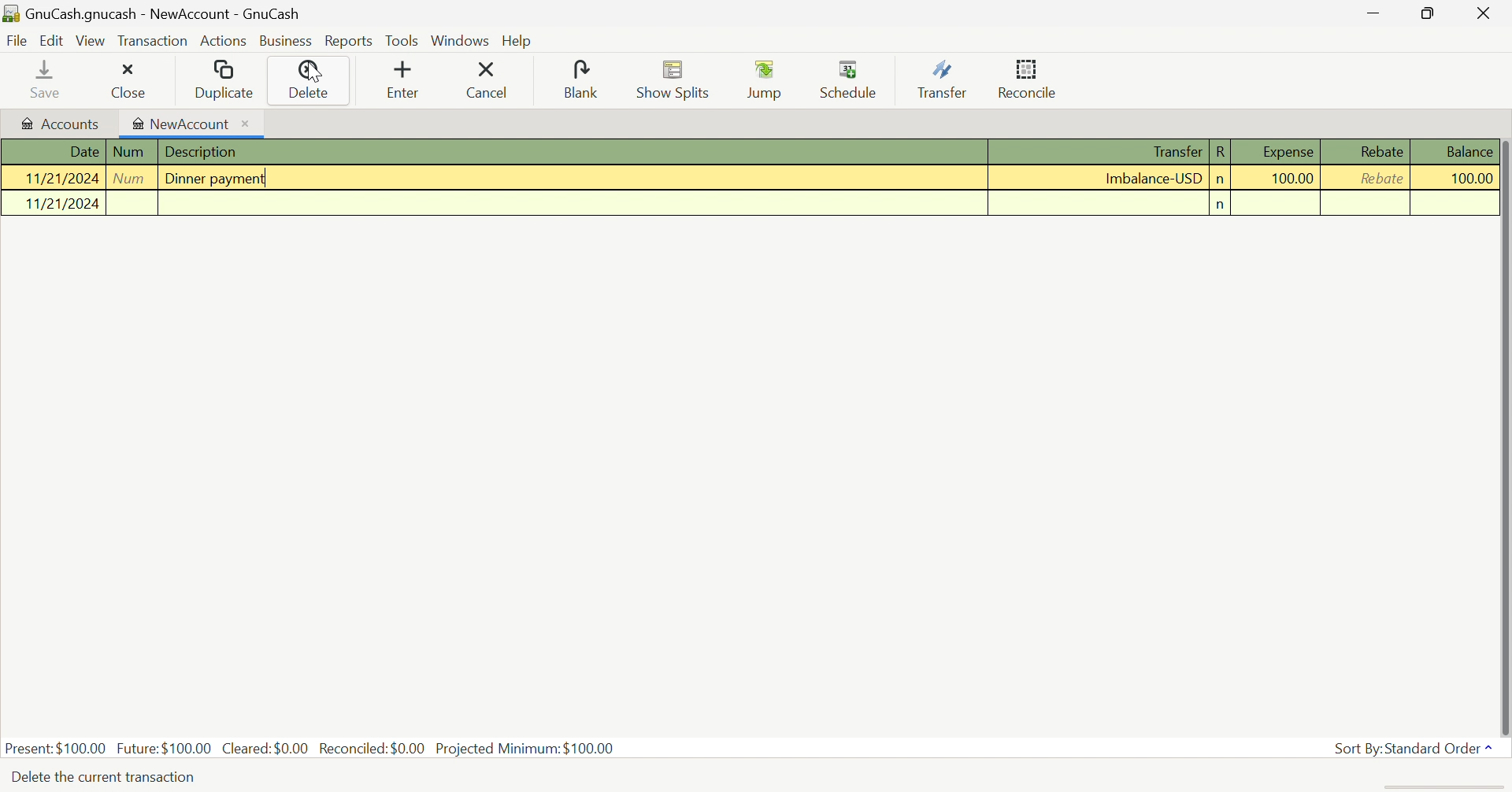  What do you see at coordinates (1031, 78) in the screenshot?
I see `Reconcile` at bounding box center [1031, 78].